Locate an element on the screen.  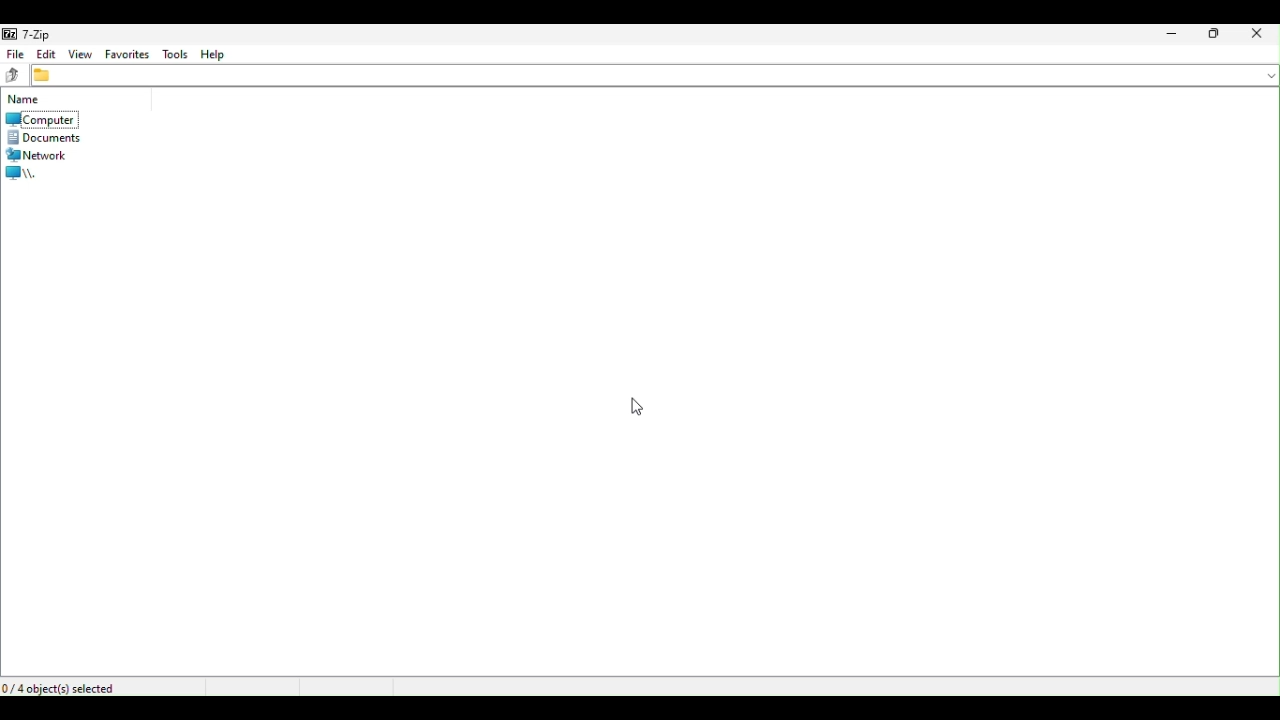
Tools  is located at coordinates (177, 52).